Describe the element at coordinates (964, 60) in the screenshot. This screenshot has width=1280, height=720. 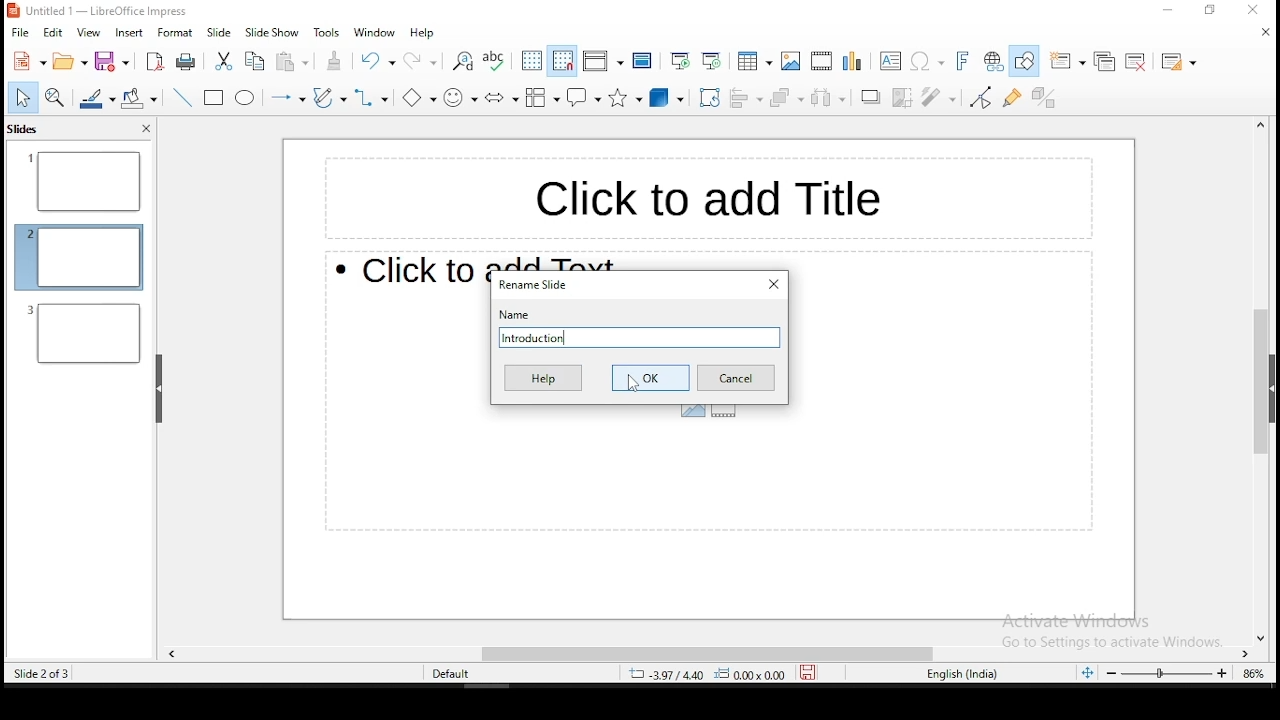
I see `insert fontwork text` at that location.